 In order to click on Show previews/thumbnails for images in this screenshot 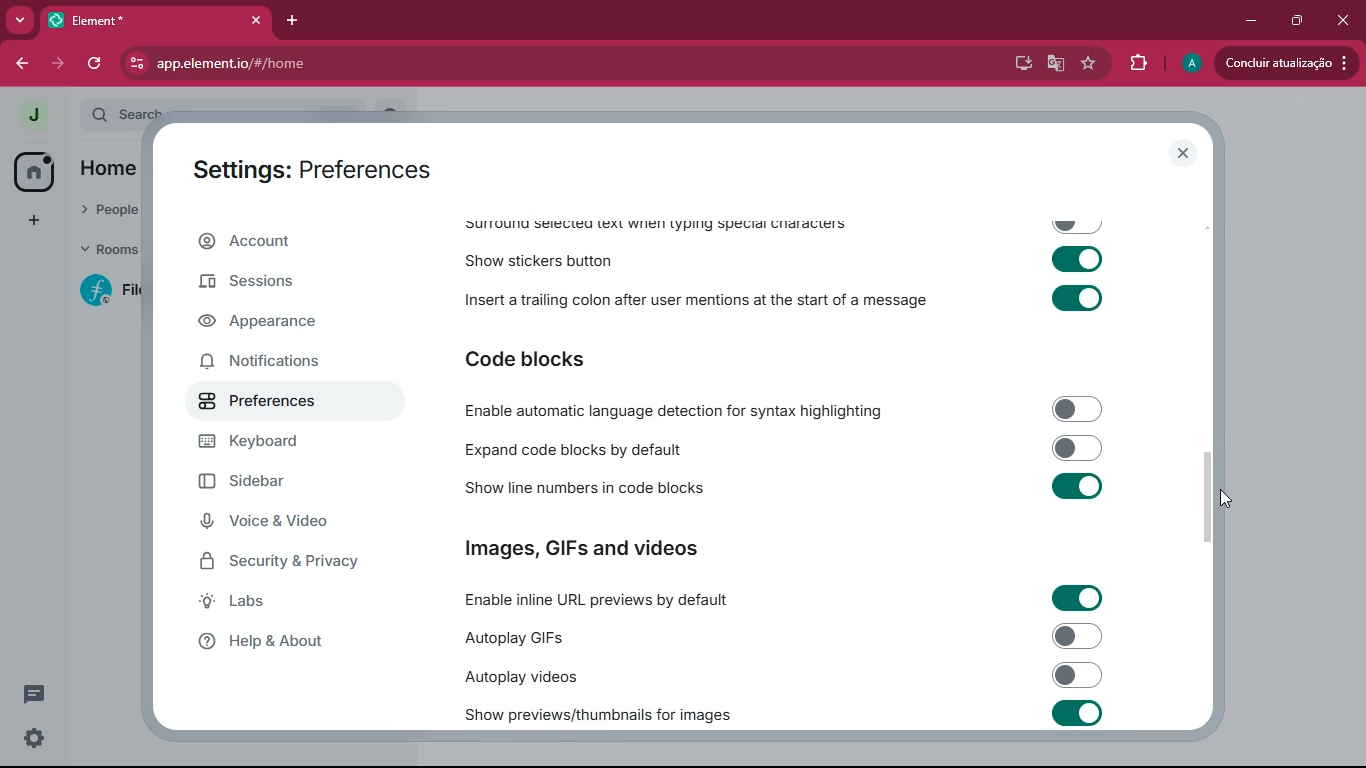, I will do `click(786, 713)`.